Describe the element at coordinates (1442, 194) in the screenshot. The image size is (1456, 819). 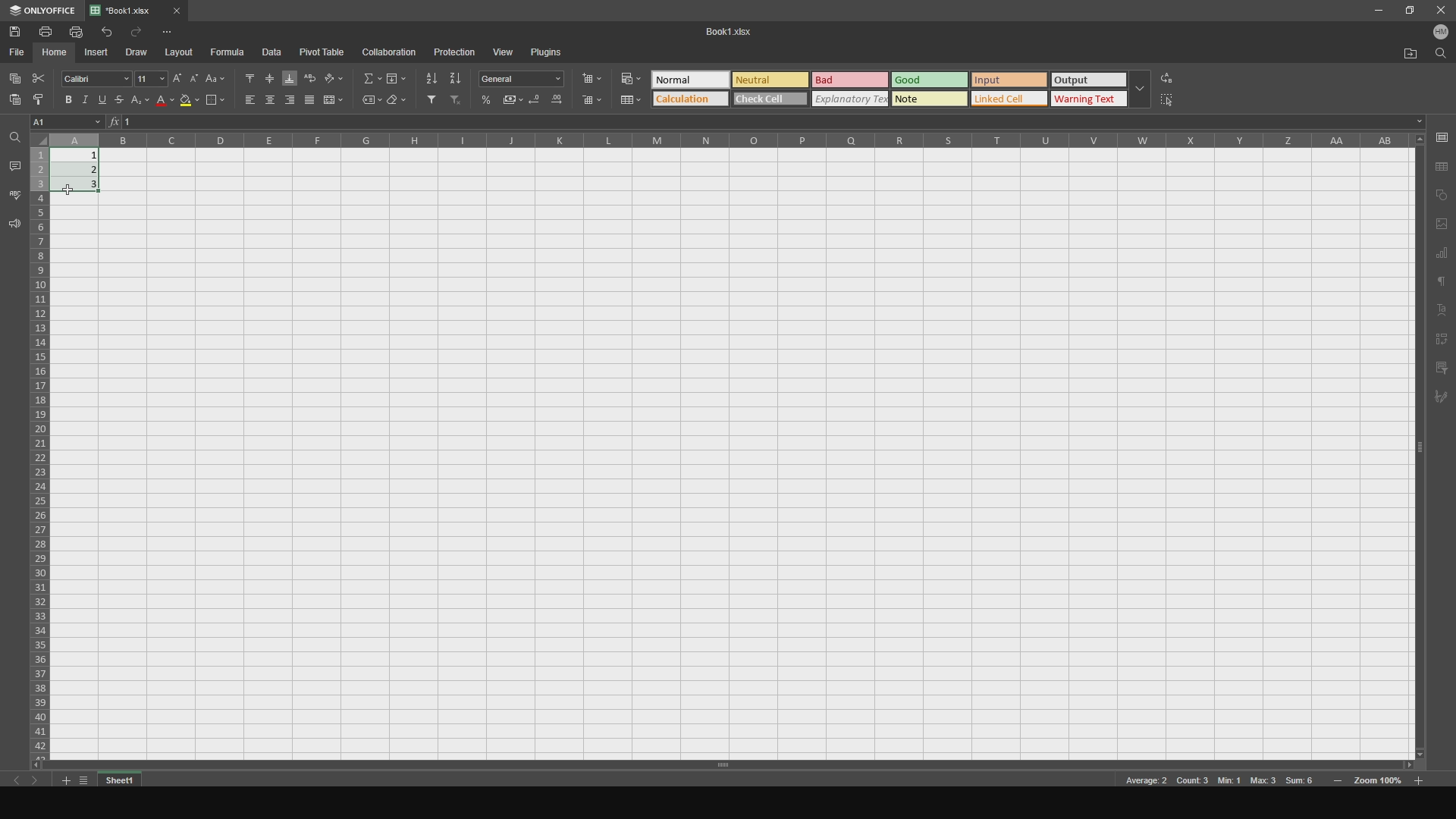
I see `copy` at that location.